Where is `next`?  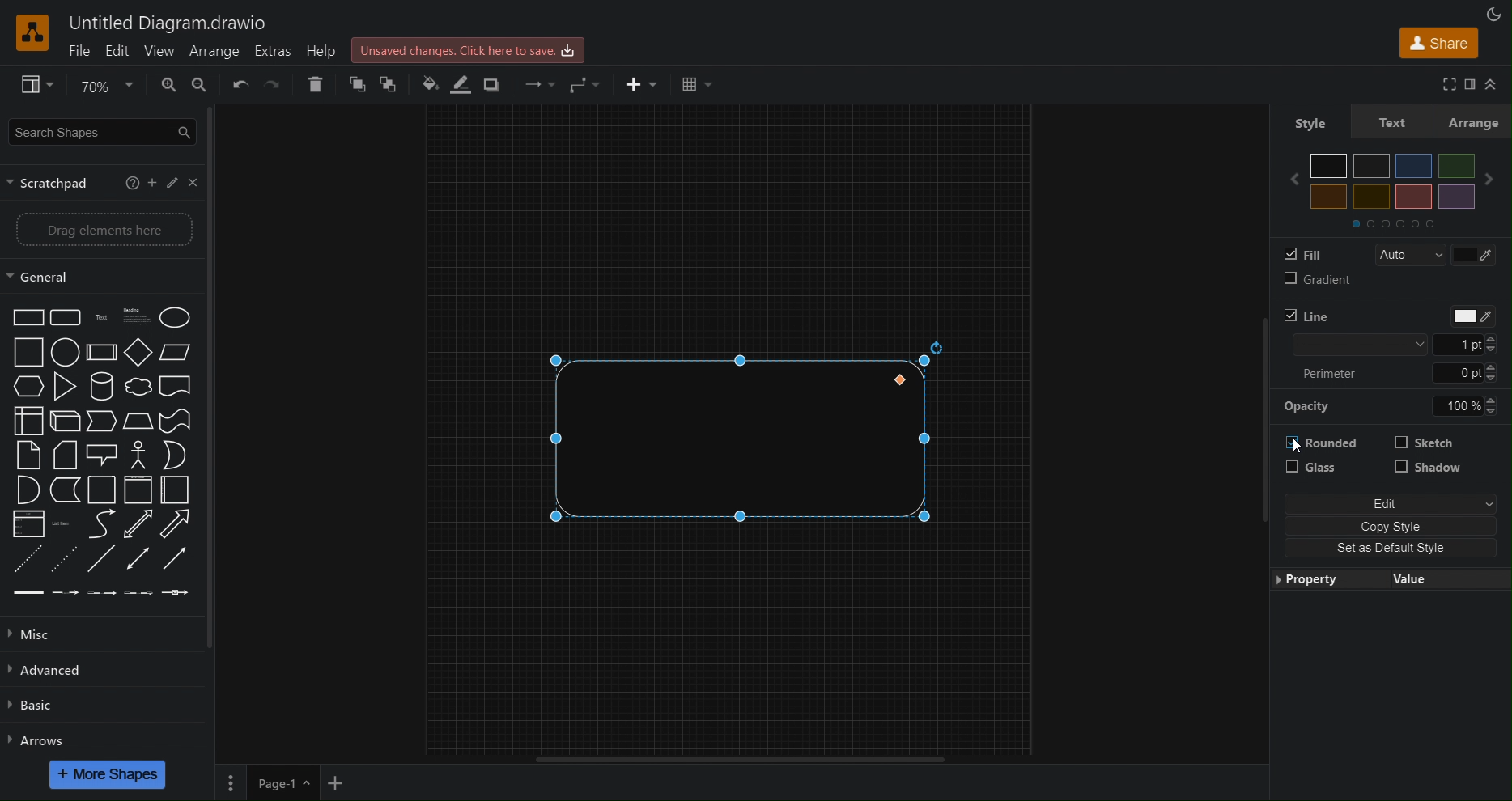
next is located at coordinates (1495, 173).